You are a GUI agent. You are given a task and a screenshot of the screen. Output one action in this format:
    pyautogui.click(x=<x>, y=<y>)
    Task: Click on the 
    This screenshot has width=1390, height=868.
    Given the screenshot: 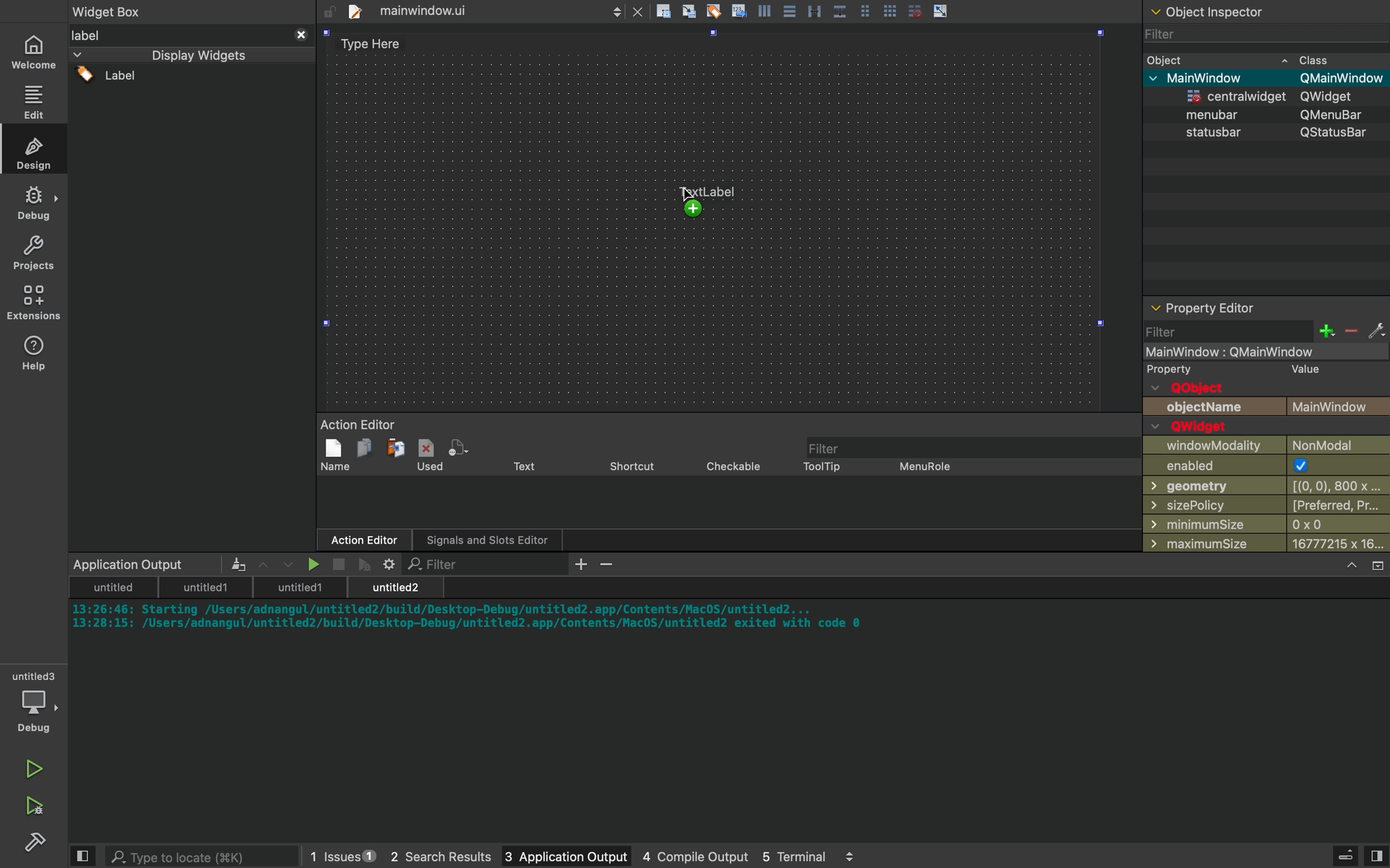 What is the action you would take?
    pyautogui.click(x=1360, y=855)
    